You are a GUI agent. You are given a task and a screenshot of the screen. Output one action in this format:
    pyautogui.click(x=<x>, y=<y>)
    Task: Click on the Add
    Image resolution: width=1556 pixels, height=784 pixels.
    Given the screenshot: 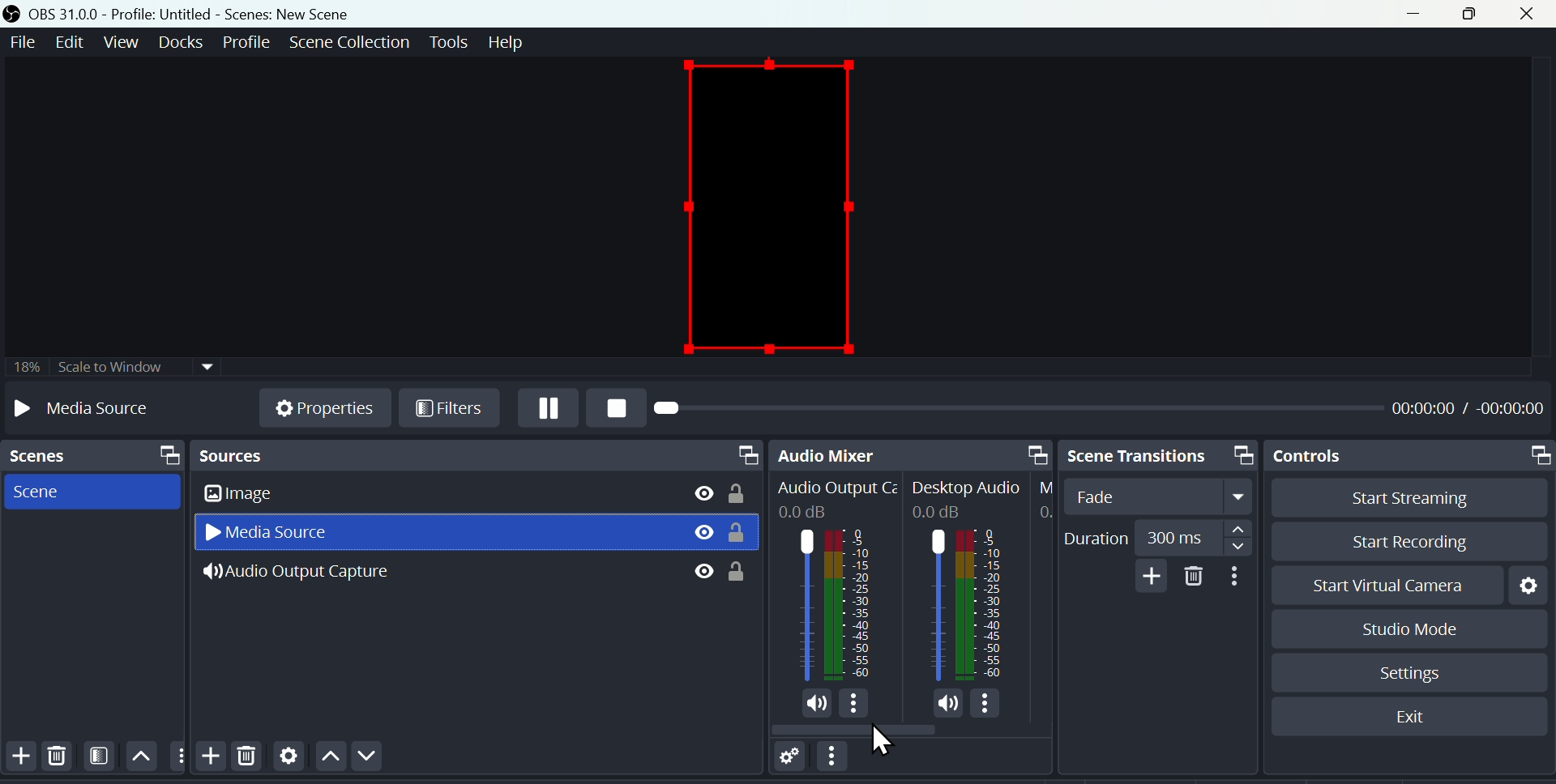 What is the action you would take?
    pyautogui.click(x=1151, y=576)
    